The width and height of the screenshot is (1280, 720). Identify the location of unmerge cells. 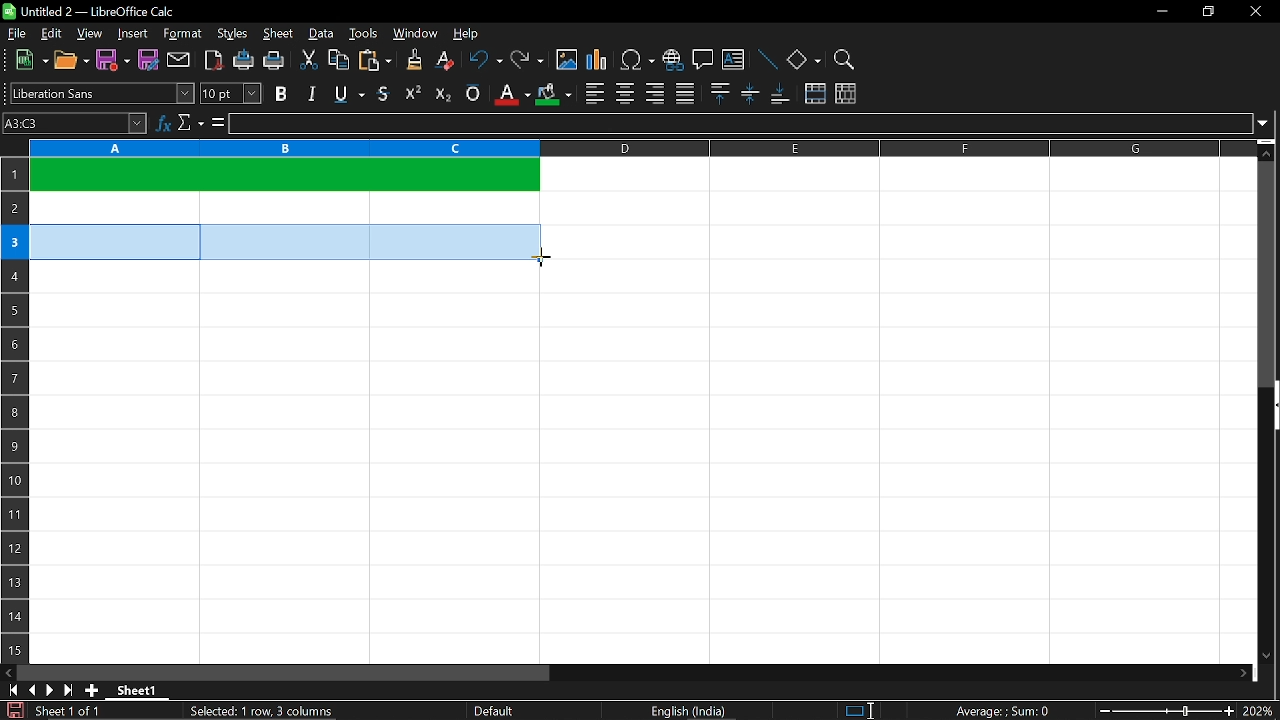
(846, 95).